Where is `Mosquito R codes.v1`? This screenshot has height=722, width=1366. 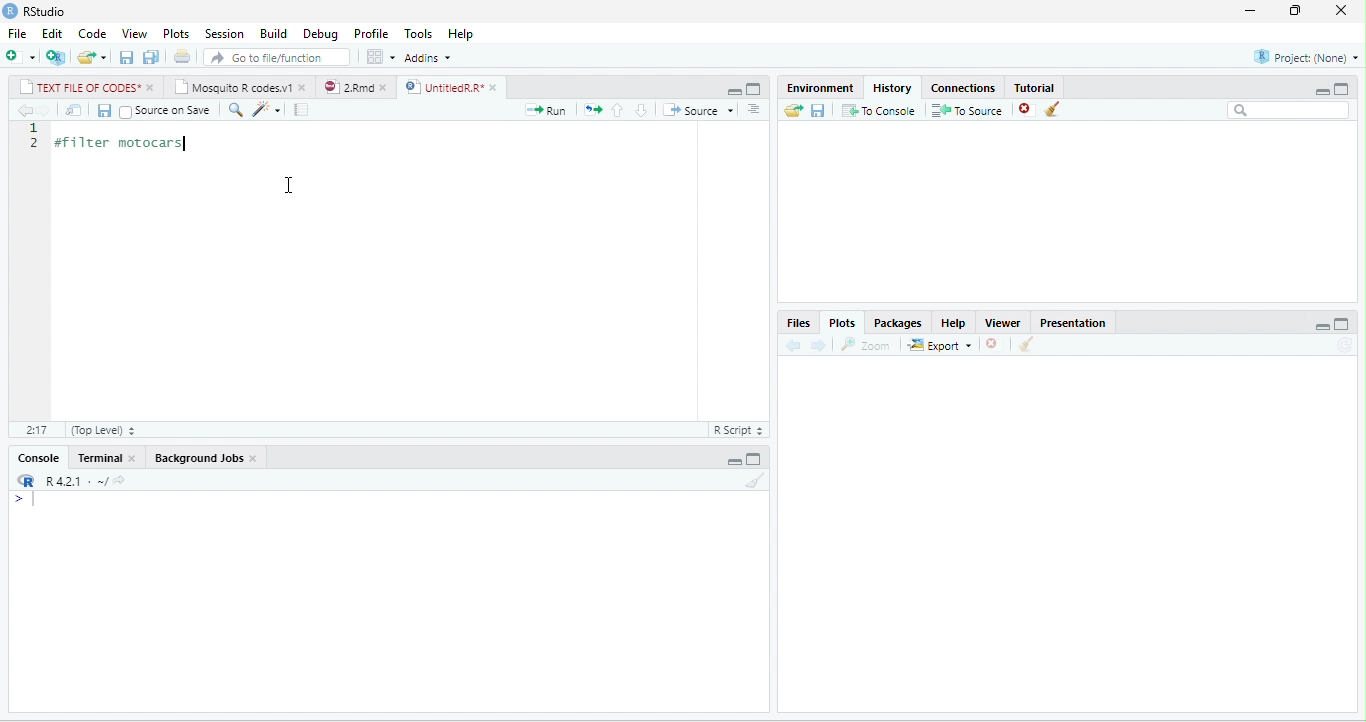 Mosquito R codes.v1 is located at coordinates (233, 86).